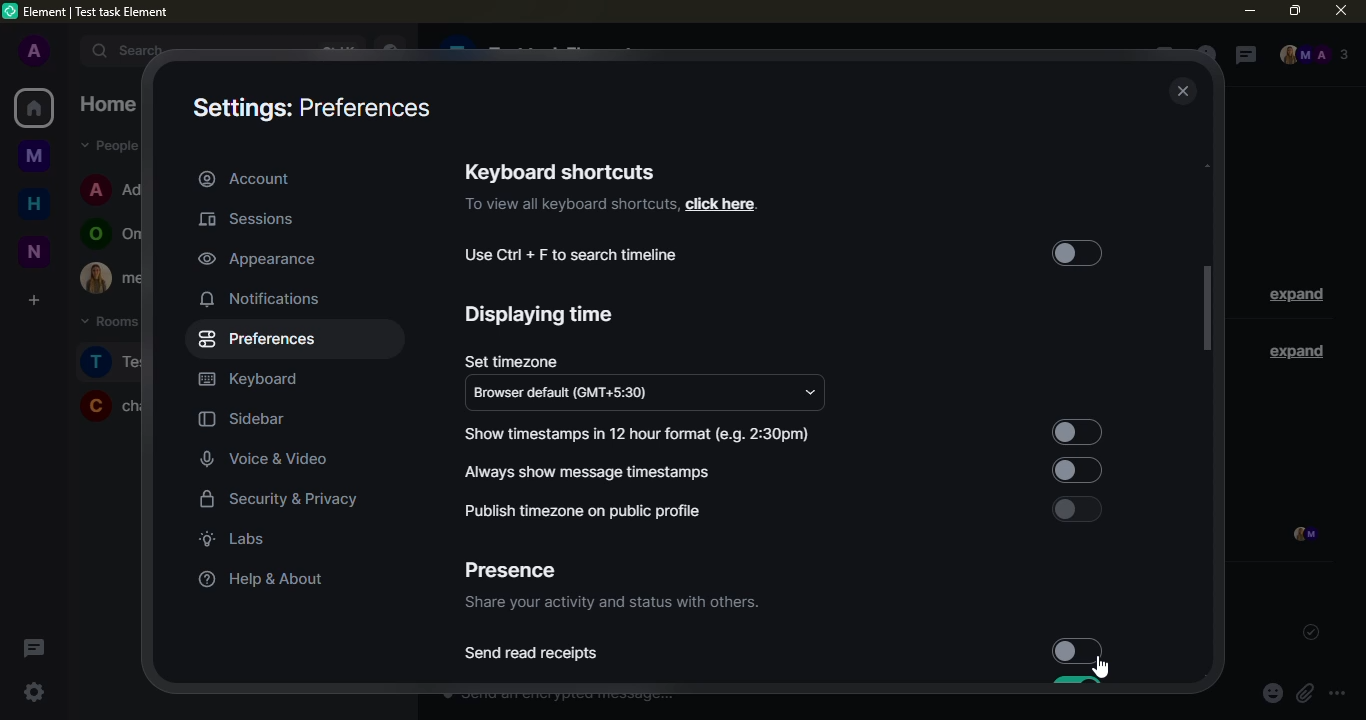 This screenshot has width=1366, height=720. Describe the element at coordinates (1304, 694) in the screenshot. I see `attach` at that location.